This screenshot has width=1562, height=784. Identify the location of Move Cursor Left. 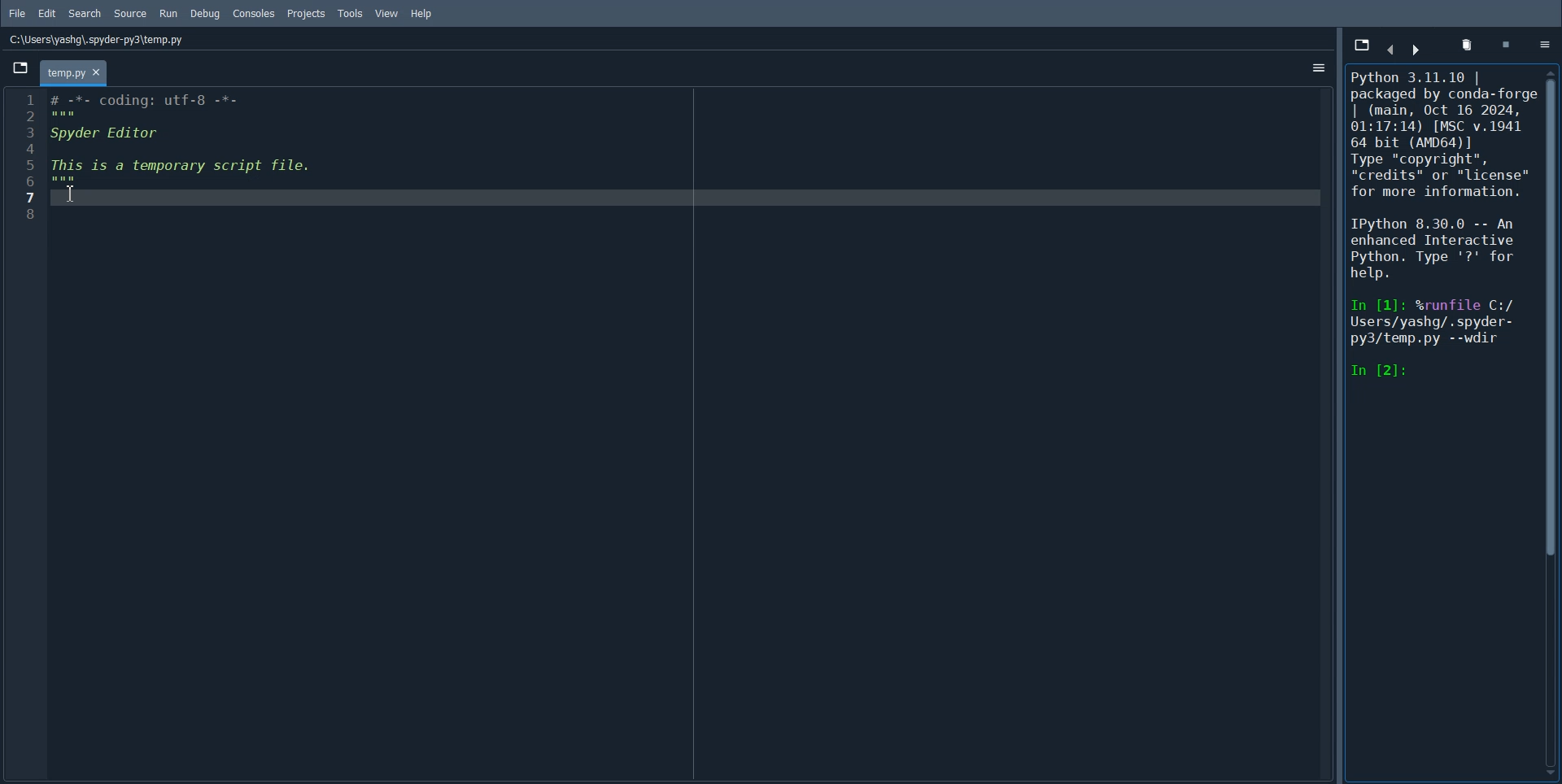
(1419, 49).